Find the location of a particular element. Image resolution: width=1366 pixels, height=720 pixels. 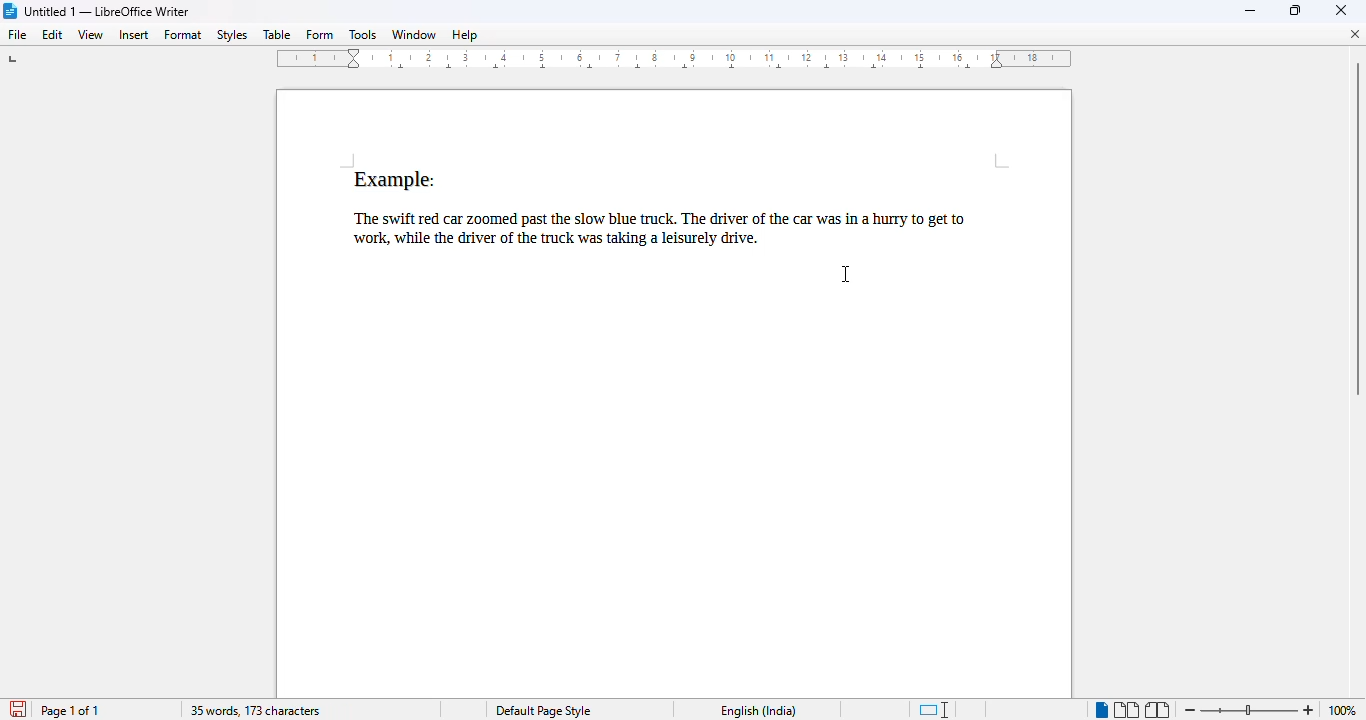

tab stop is located at coordinates (13, 61).